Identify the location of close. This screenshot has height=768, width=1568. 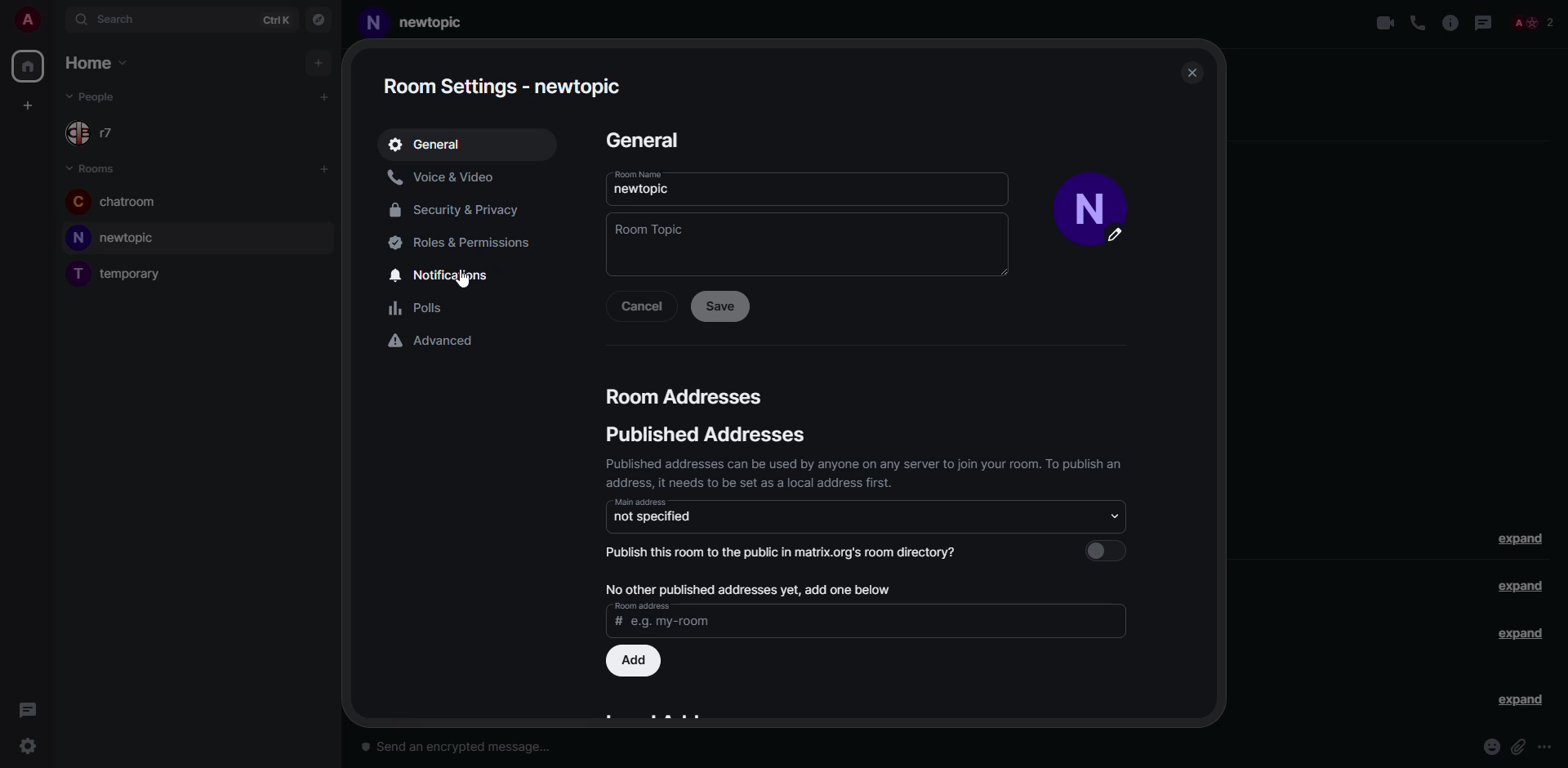
(1189, 73).